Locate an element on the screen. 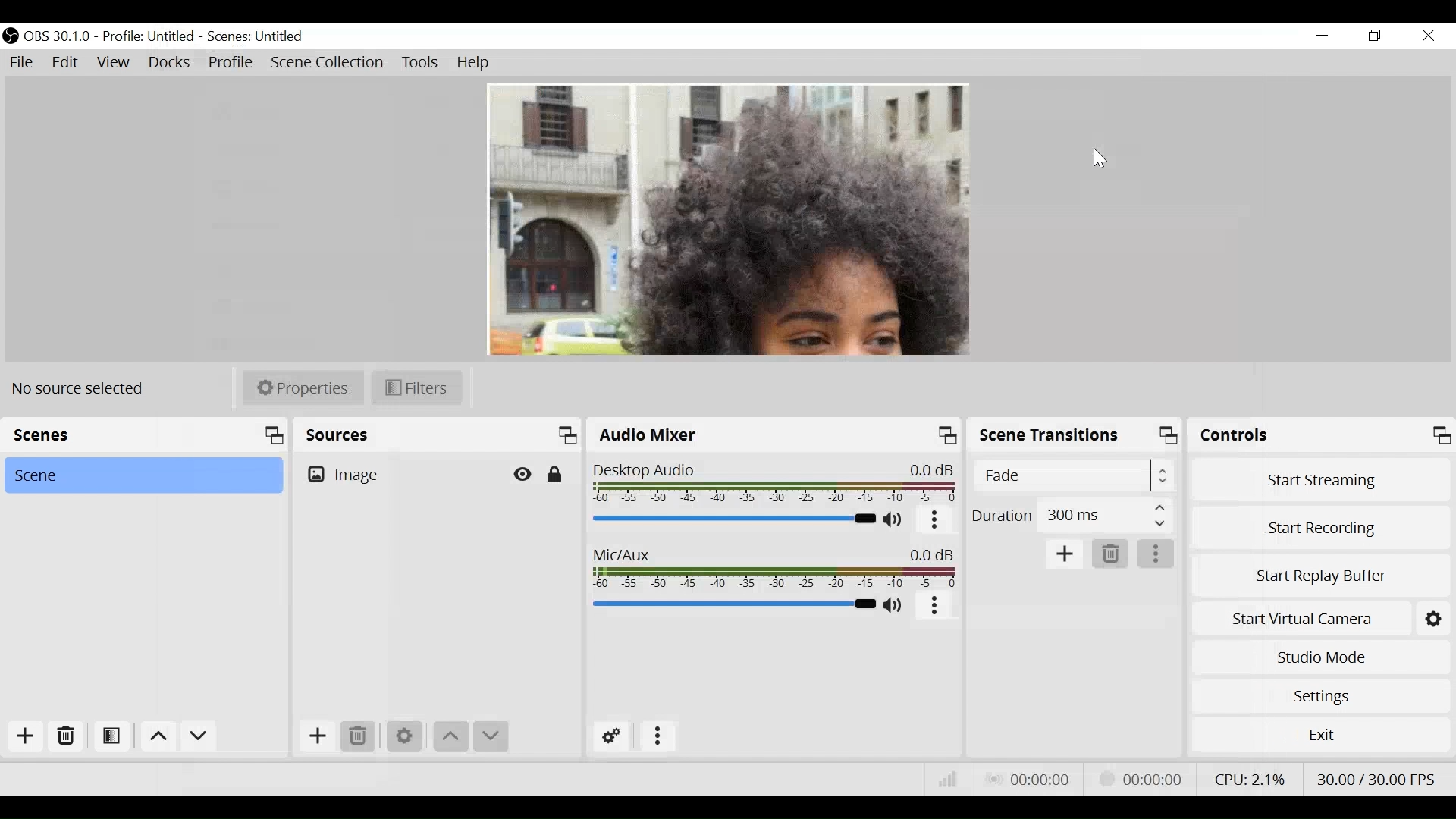 Image resolution: width=1456 pixels, height=819 pixels. Tools is located at coordinates (420, 62).